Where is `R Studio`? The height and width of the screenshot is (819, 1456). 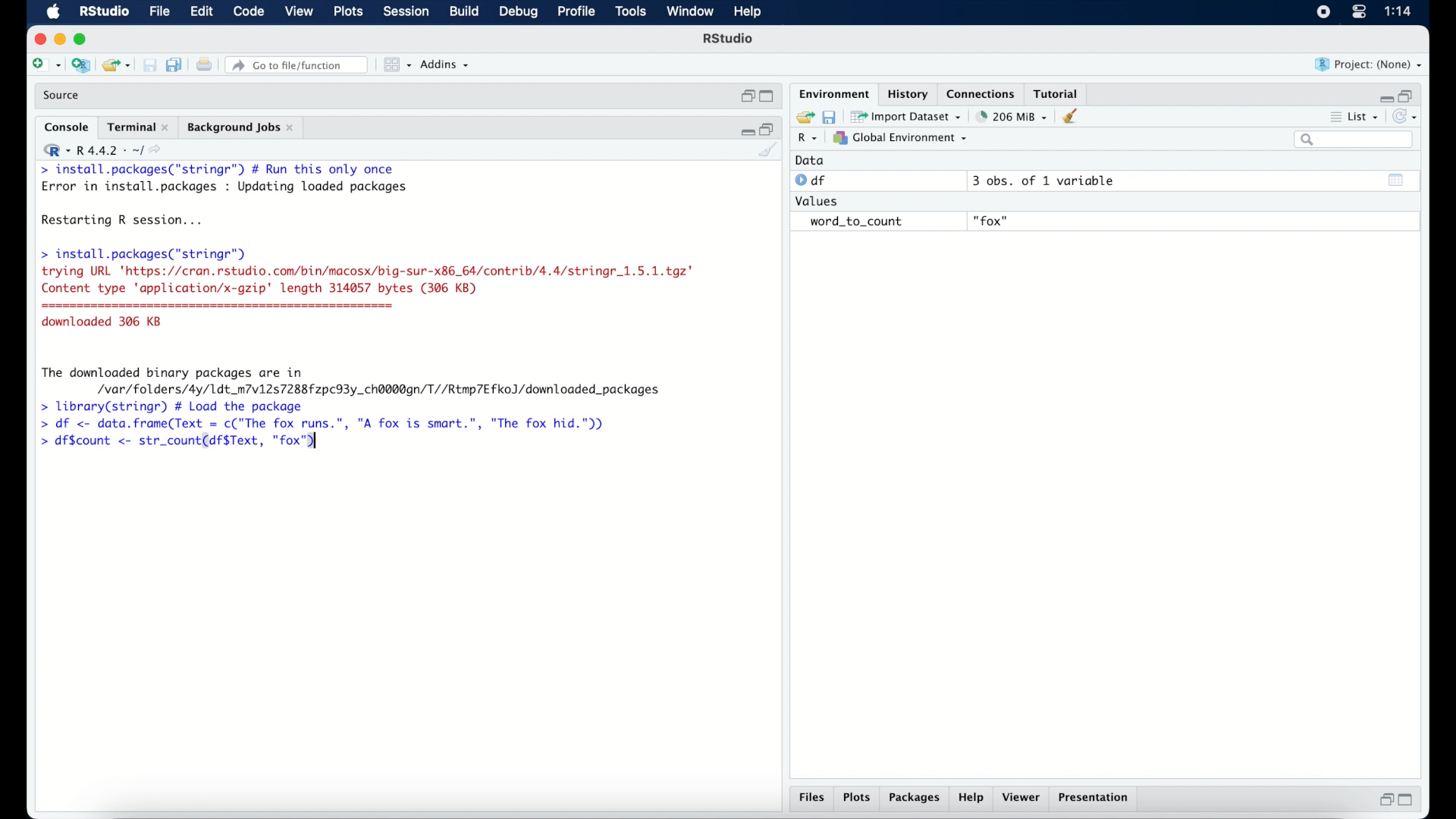 R Studio is located at coordinates (103, 12).